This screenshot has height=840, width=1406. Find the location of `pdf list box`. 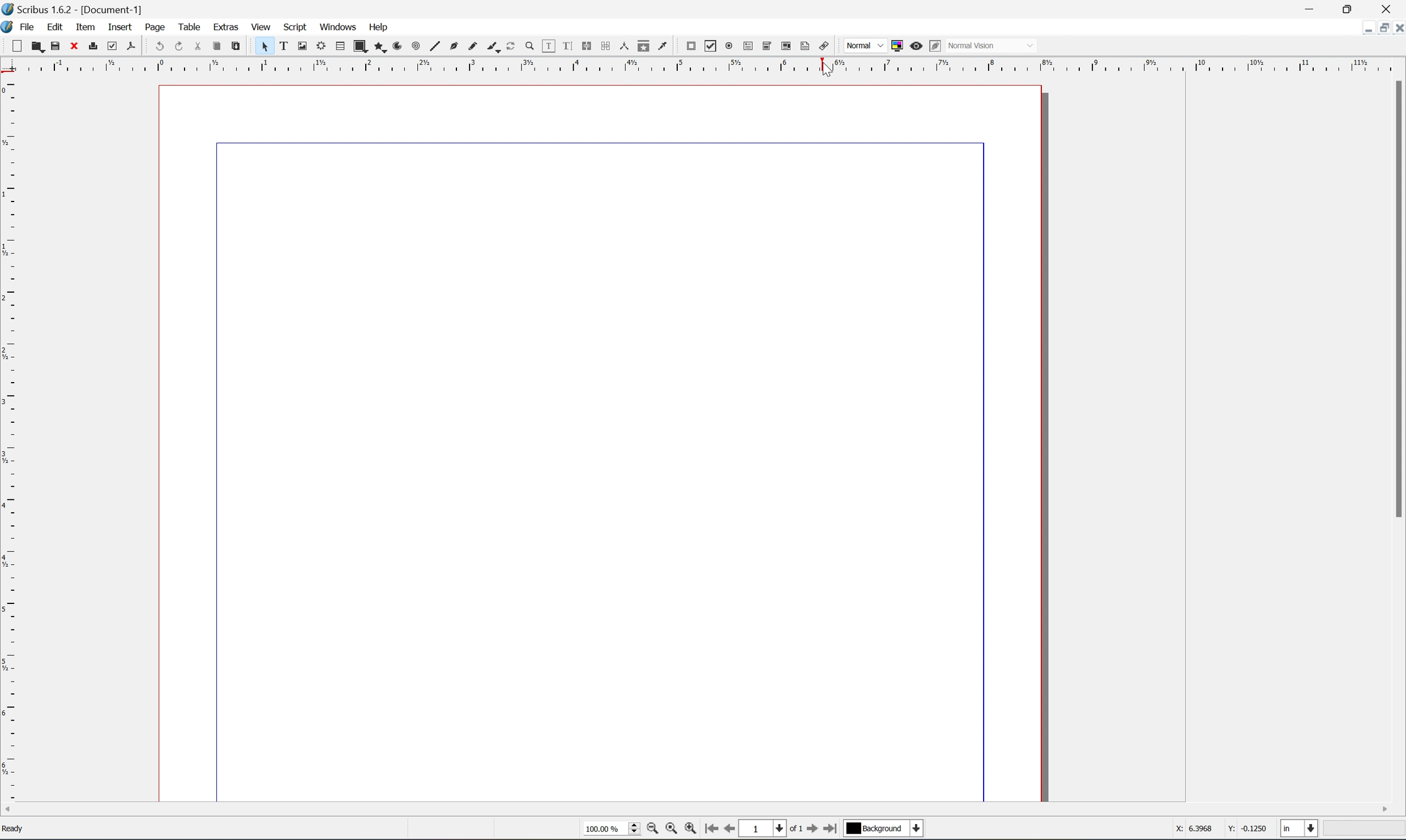

pdf list box is located at coordinates (788, 46).